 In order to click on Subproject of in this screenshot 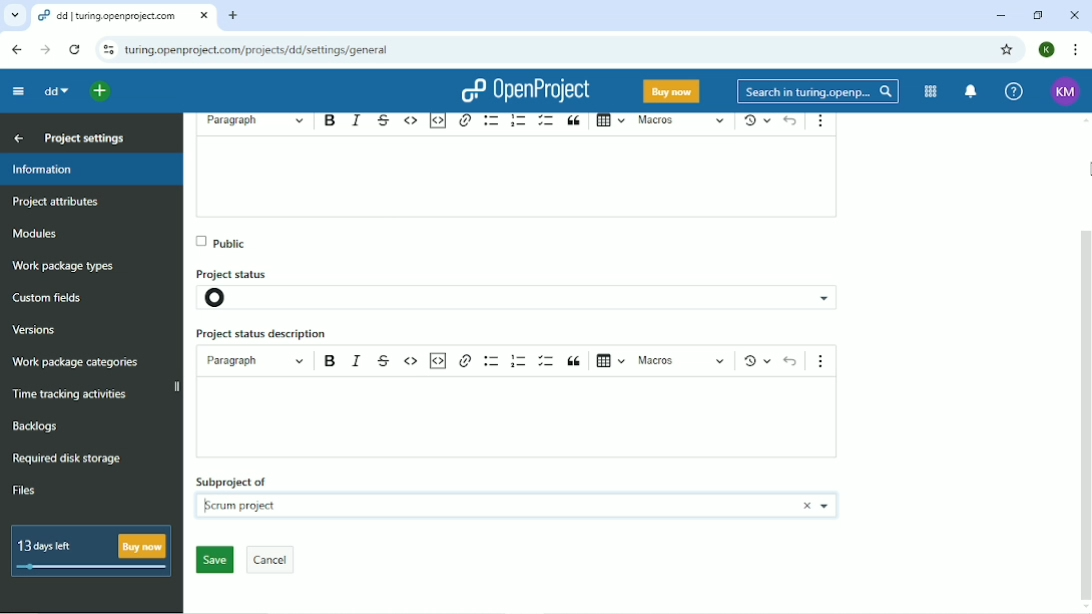, I will do `click(232, 481)`.